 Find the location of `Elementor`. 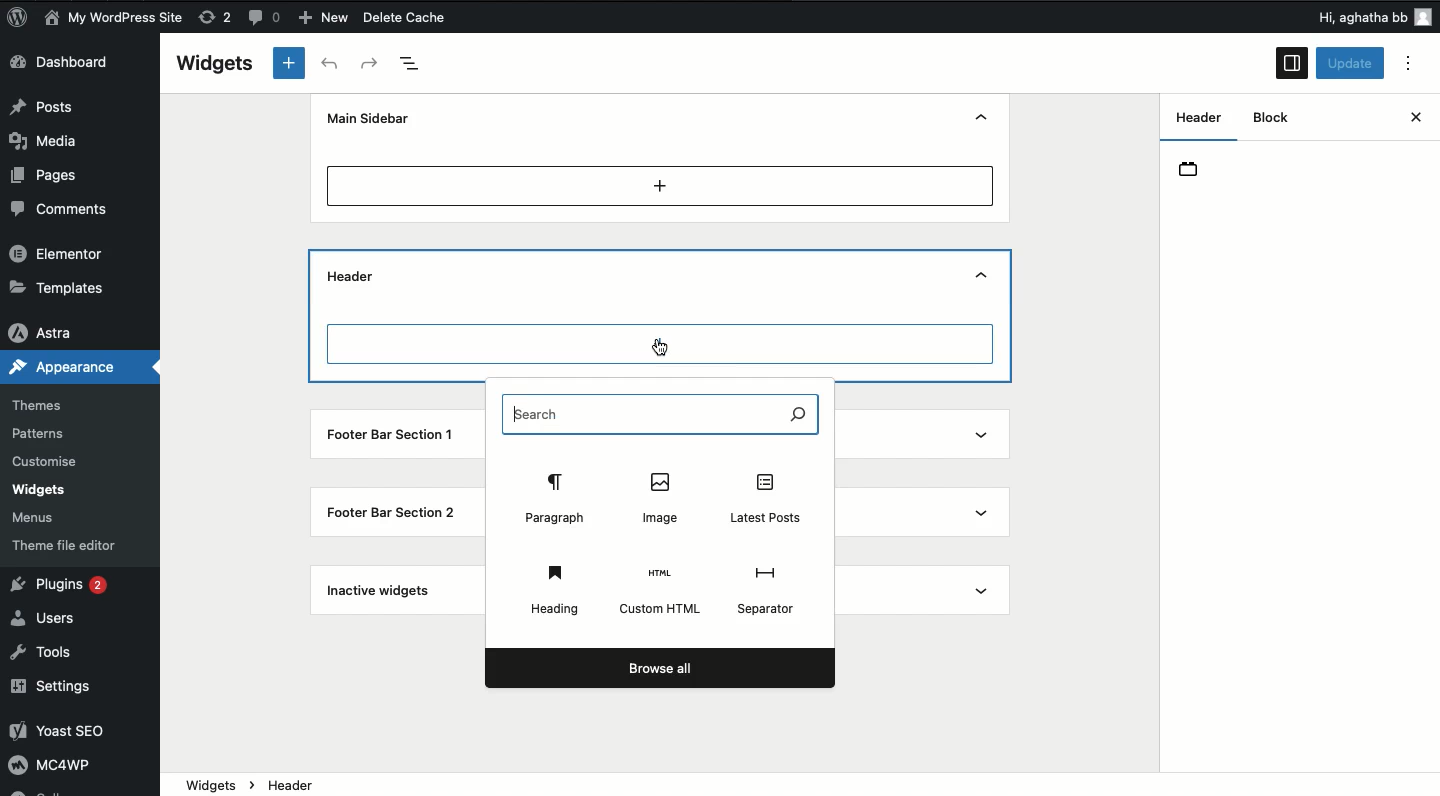

Elementor is located at coordinates (60, 255).